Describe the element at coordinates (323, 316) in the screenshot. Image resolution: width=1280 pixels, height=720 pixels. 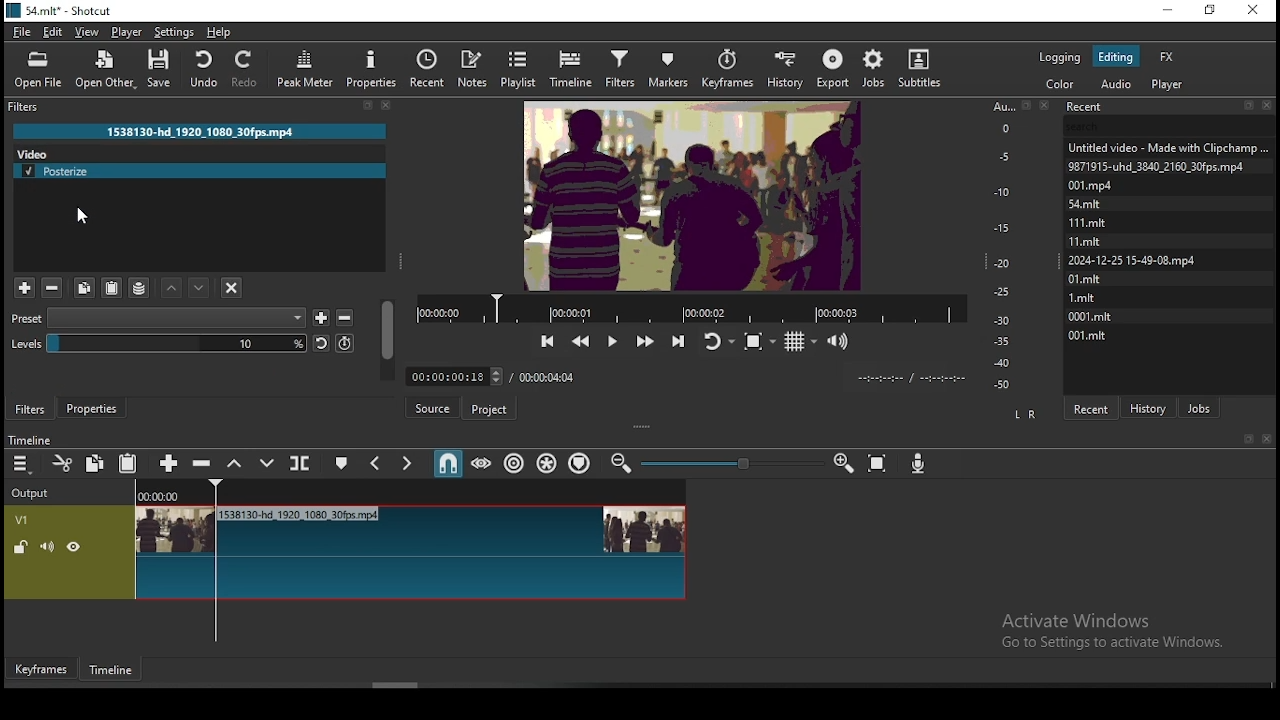
I see `save preset` at that location.